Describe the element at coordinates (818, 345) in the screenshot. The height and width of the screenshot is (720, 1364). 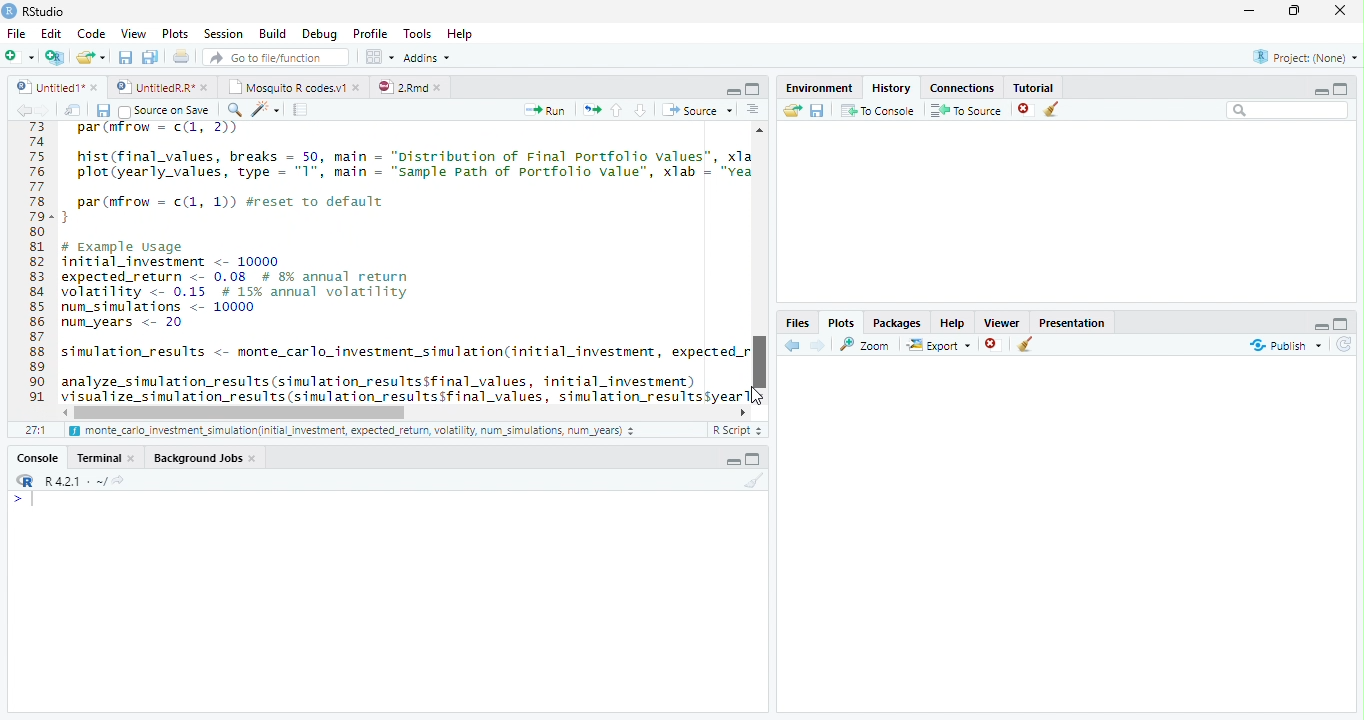
I see `Next Plot` at that location.